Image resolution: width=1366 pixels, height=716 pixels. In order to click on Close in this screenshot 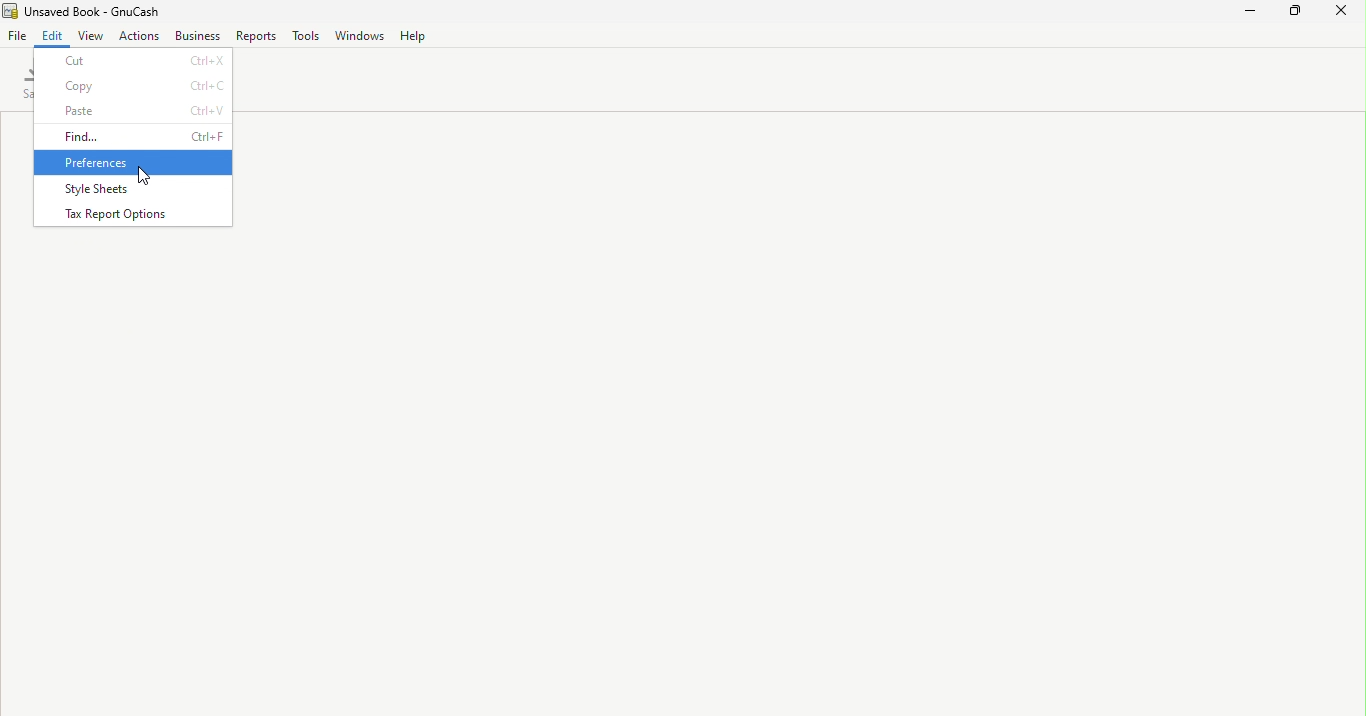, I will do `click(1342, 14)`.